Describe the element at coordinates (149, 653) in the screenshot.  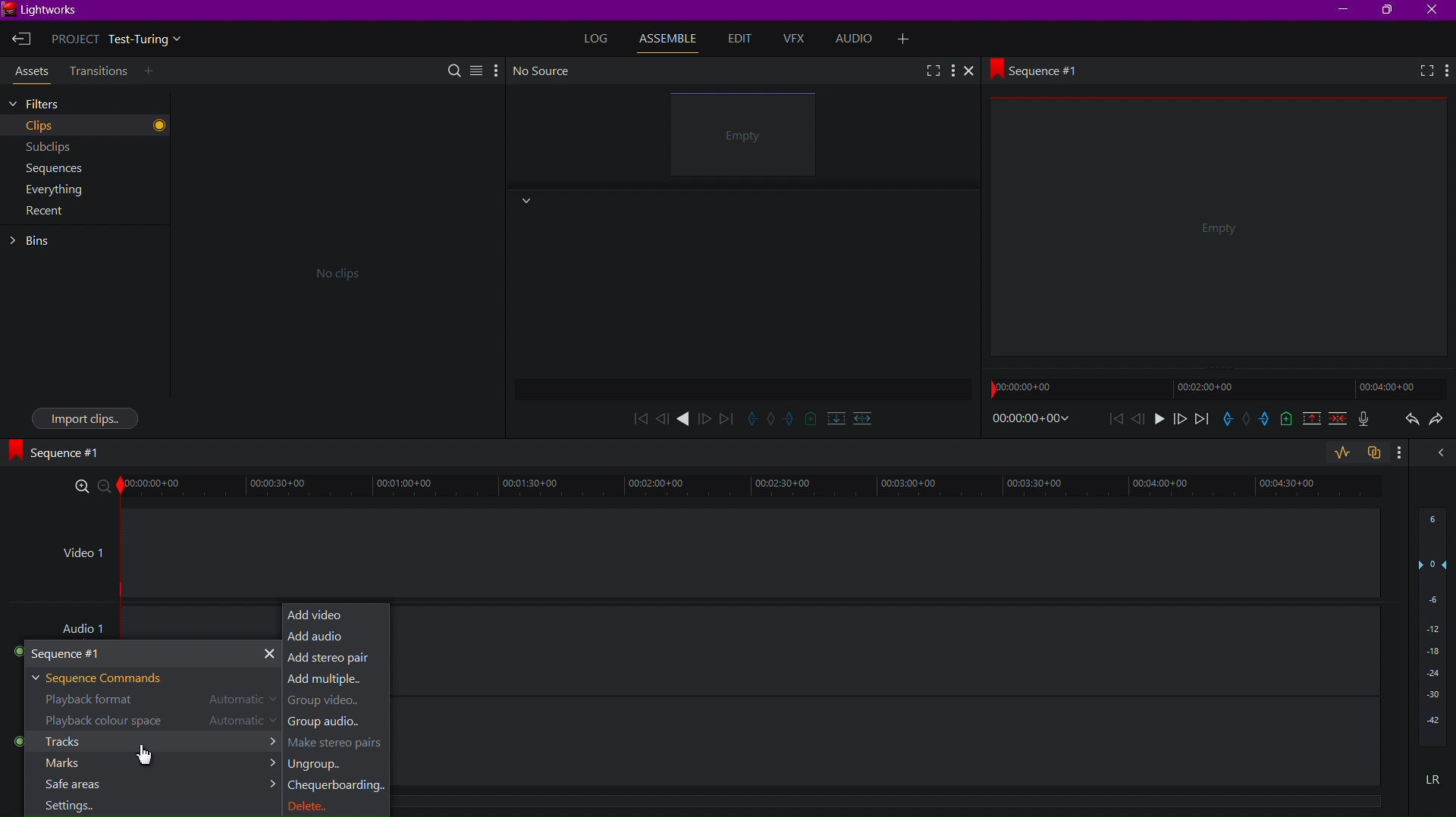
I see `Sequence 1` at that location.